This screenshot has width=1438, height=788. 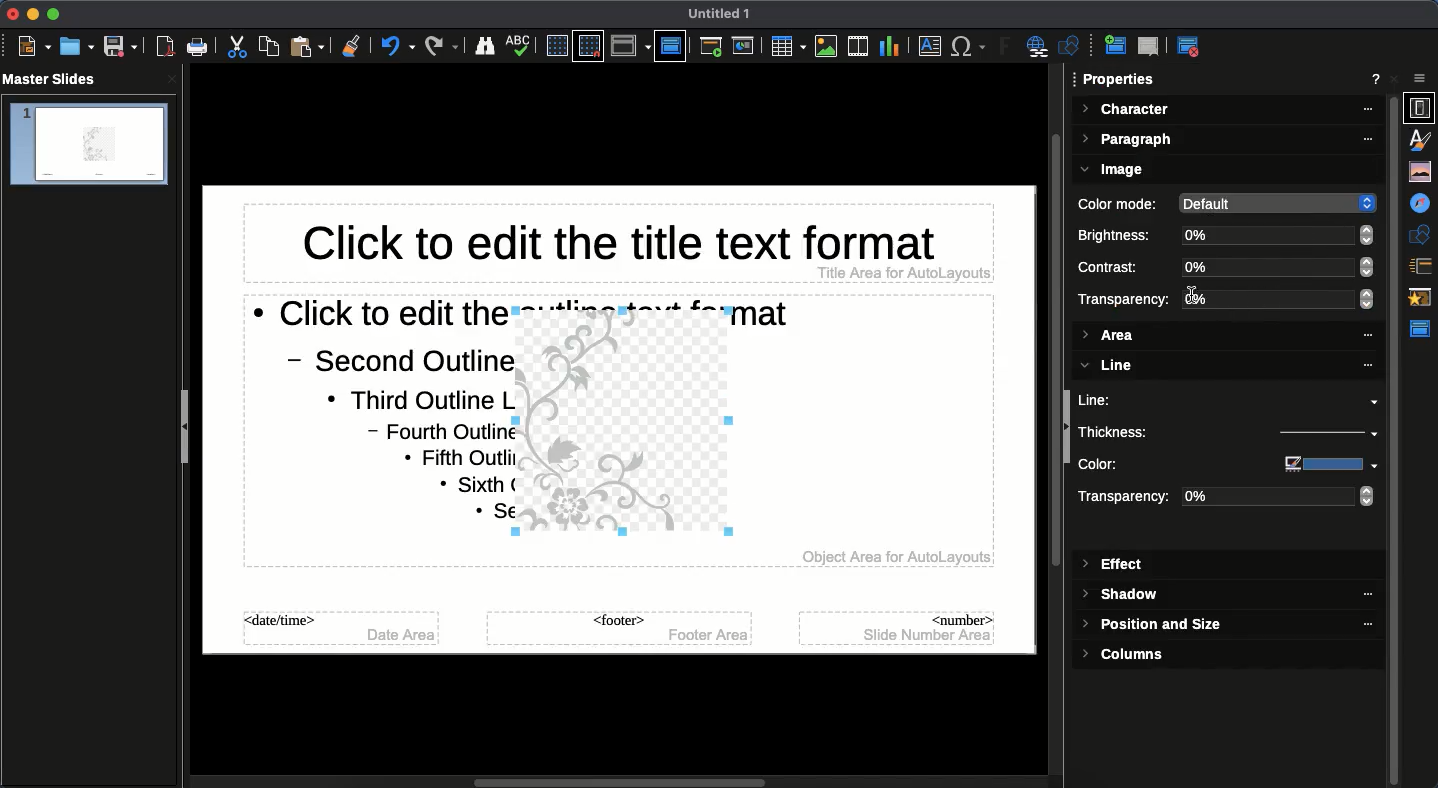 What do you see at coordinates (1040, 48) in the screenshot?
I see `Hyperlink` at bounding box center [1040, 48].